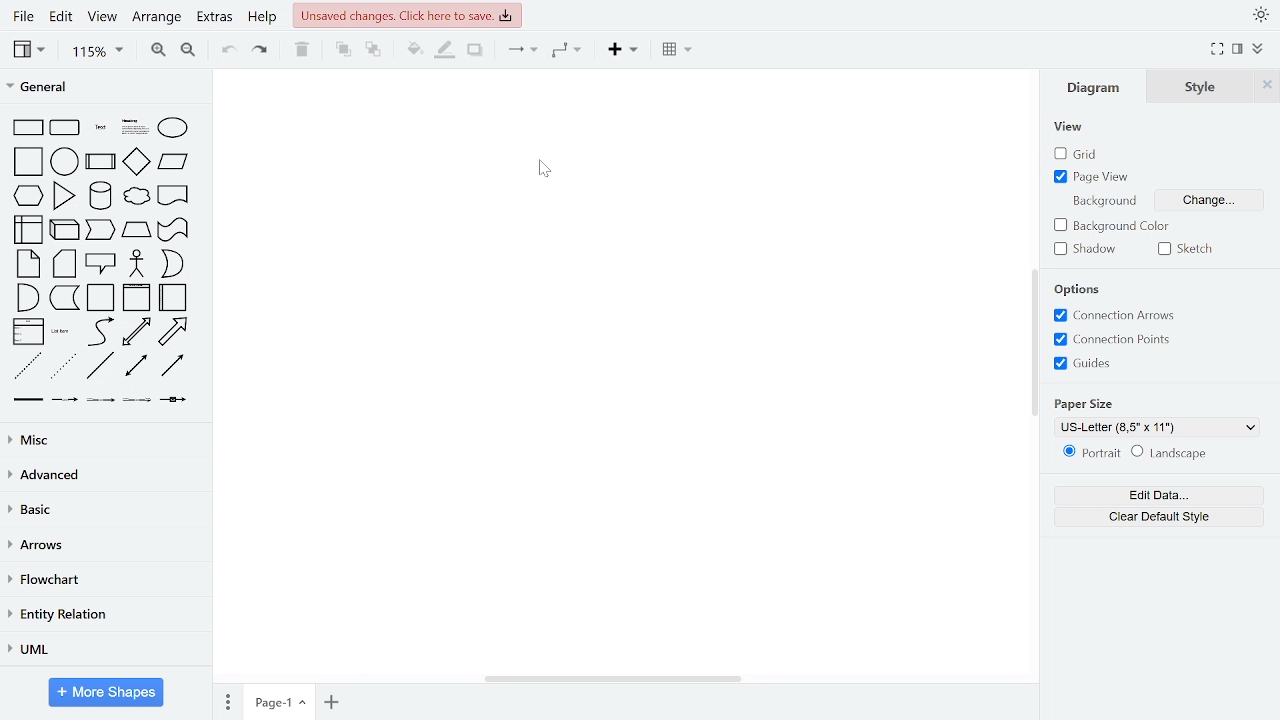 This screenshot has height=720, width=1280. I want to click on view, so click(31, 51).